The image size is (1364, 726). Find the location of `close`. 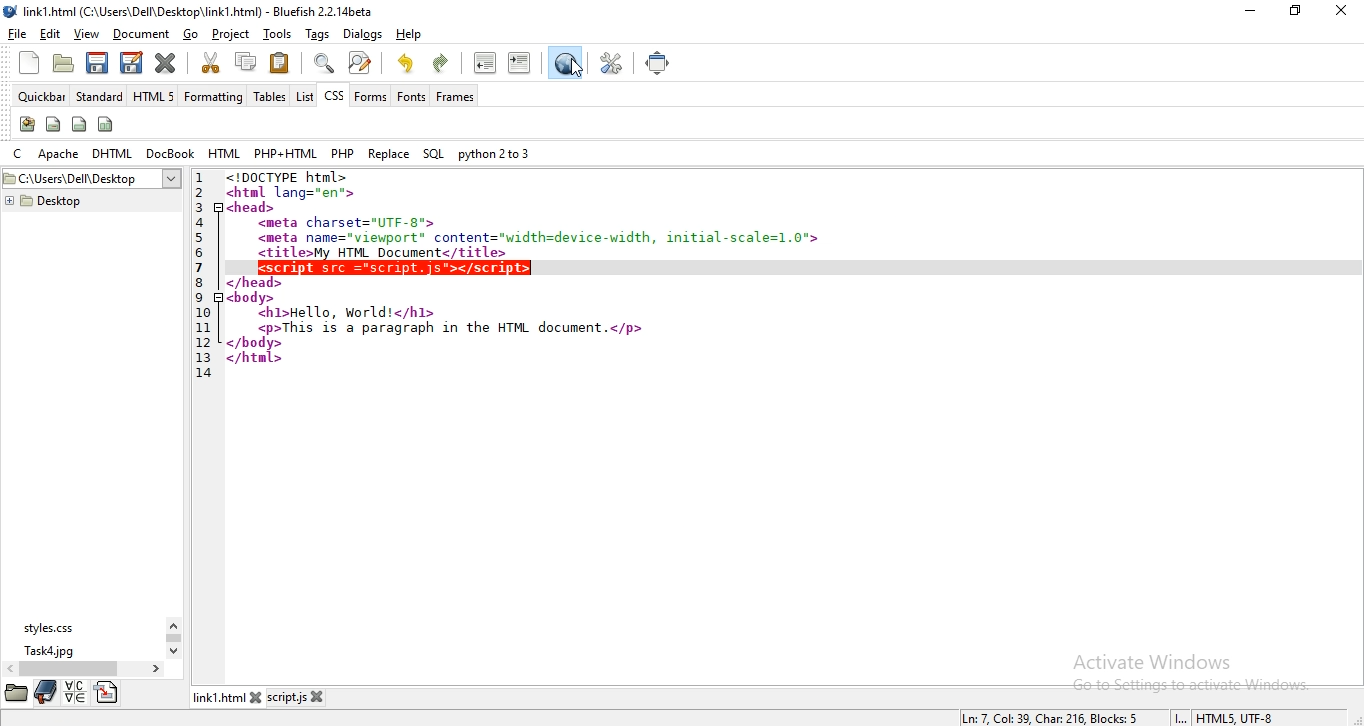

close is located at coordinates (263, 695).